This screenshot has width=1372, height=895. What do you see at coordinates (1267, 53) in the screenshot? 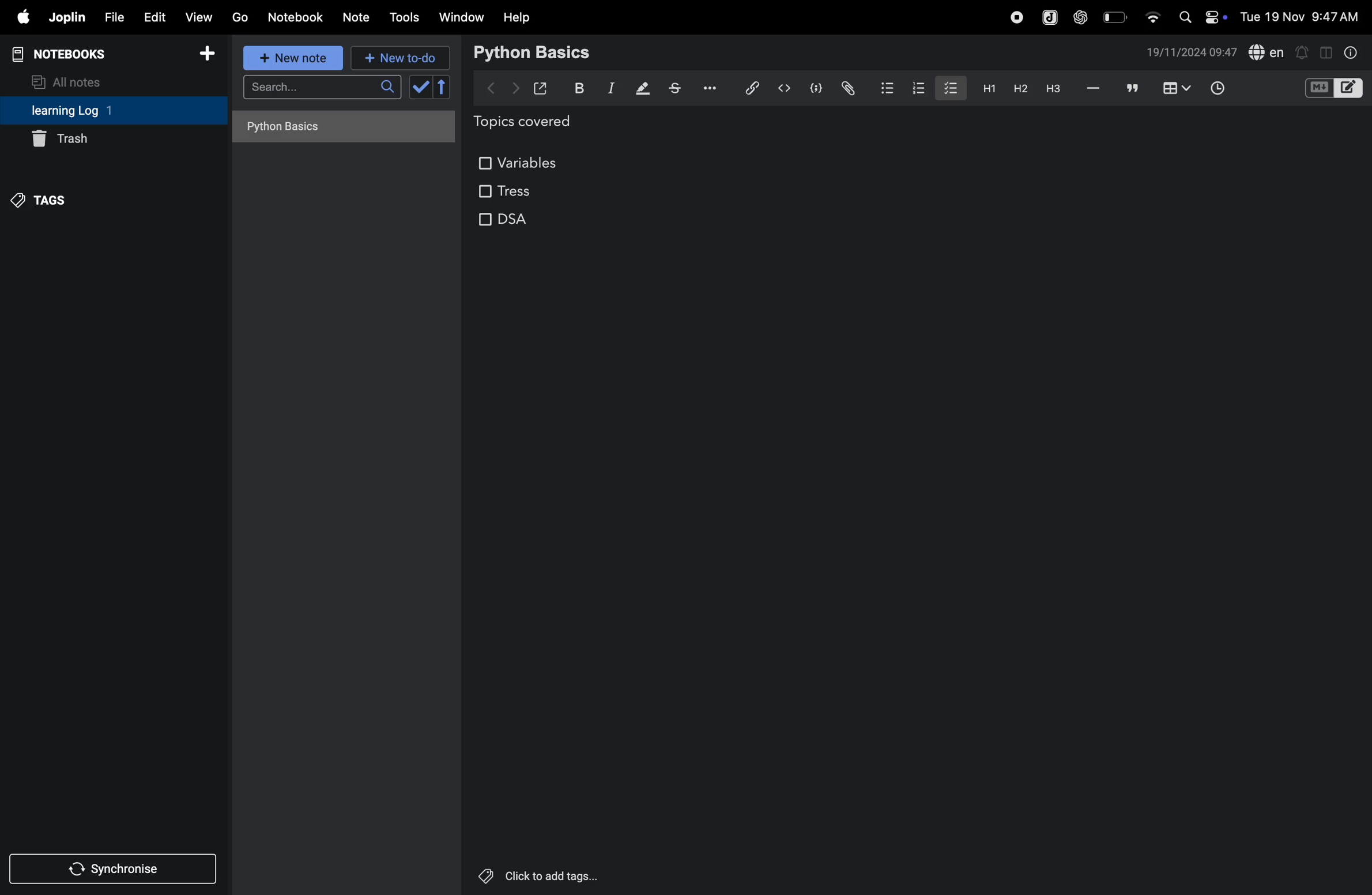
I see `spell check` at bounding box center [1267, 53].